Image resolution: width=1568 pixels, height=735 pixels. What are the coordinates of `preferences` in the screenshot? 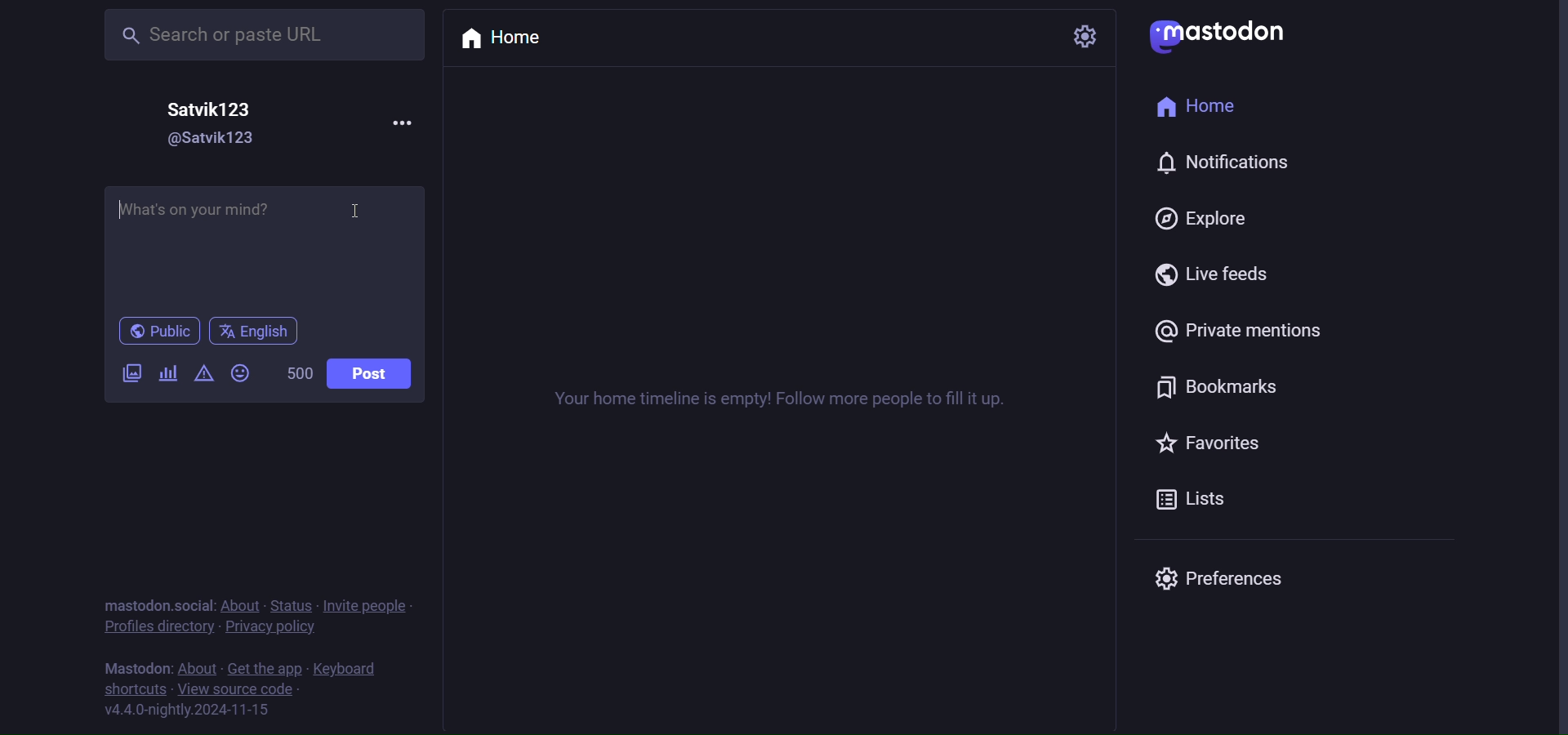 It's located at (1218, 576).